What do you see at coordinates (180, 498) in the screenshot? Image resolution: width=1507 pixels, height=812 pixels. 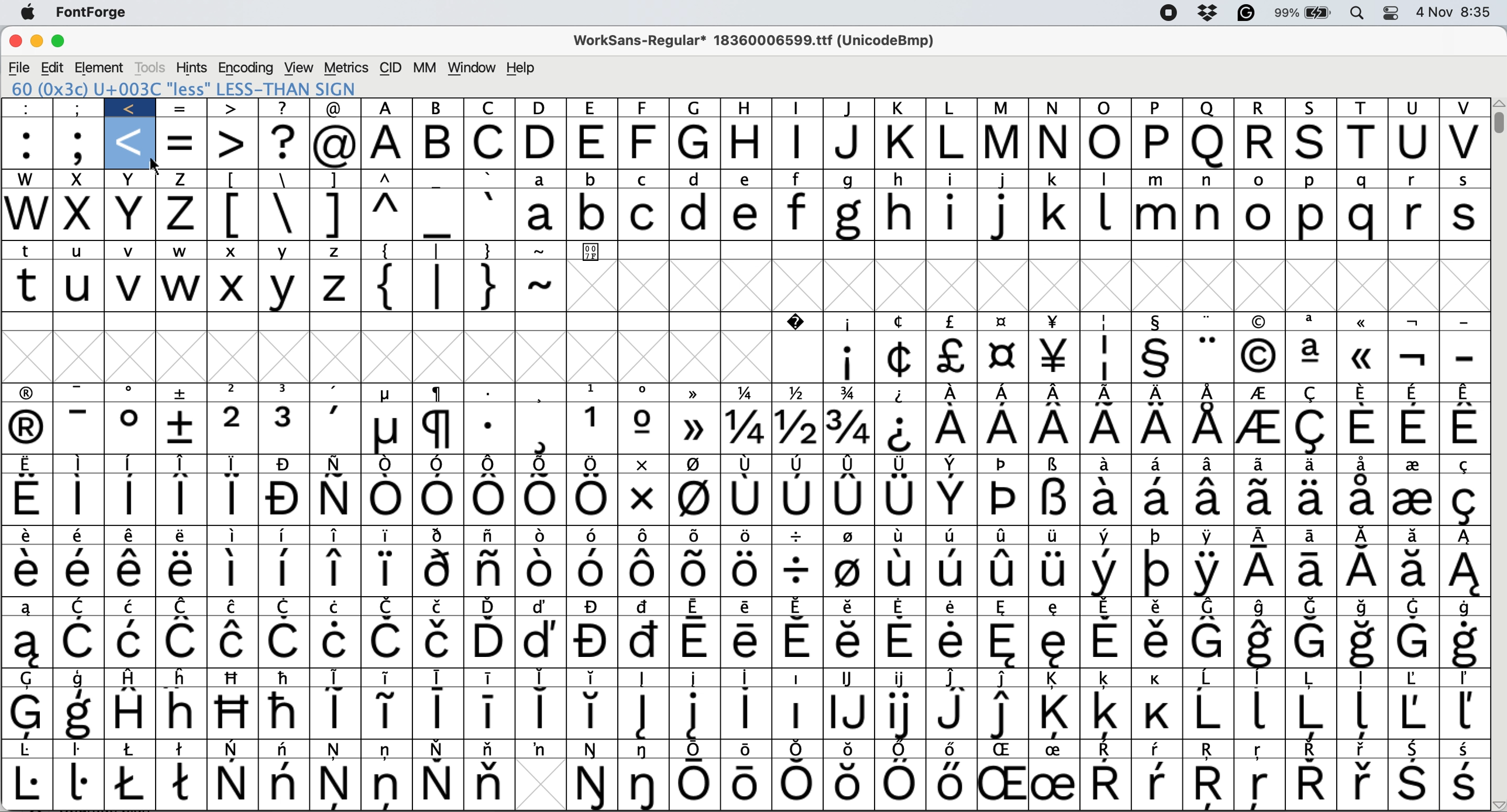 I see `Symbol` at bounding box center [180, 498].